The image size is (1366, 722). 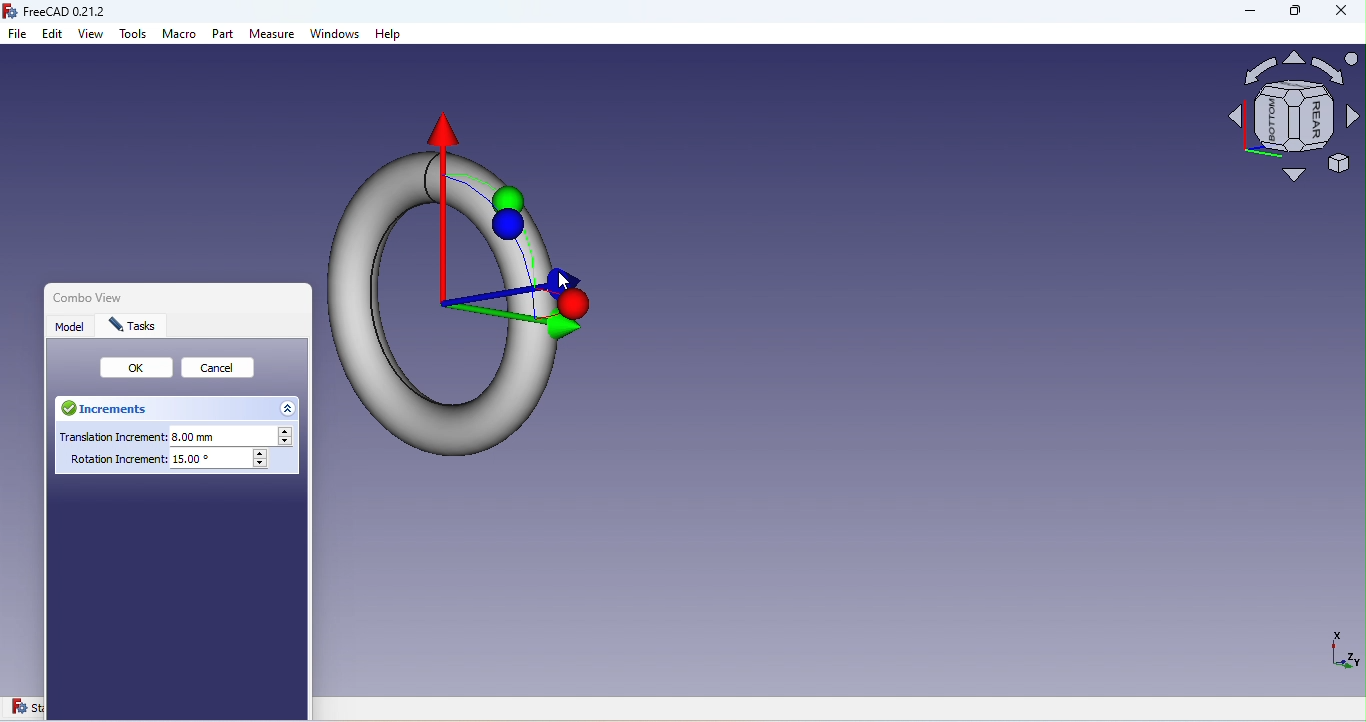 I want to click on View, so click(x=92, y=35).